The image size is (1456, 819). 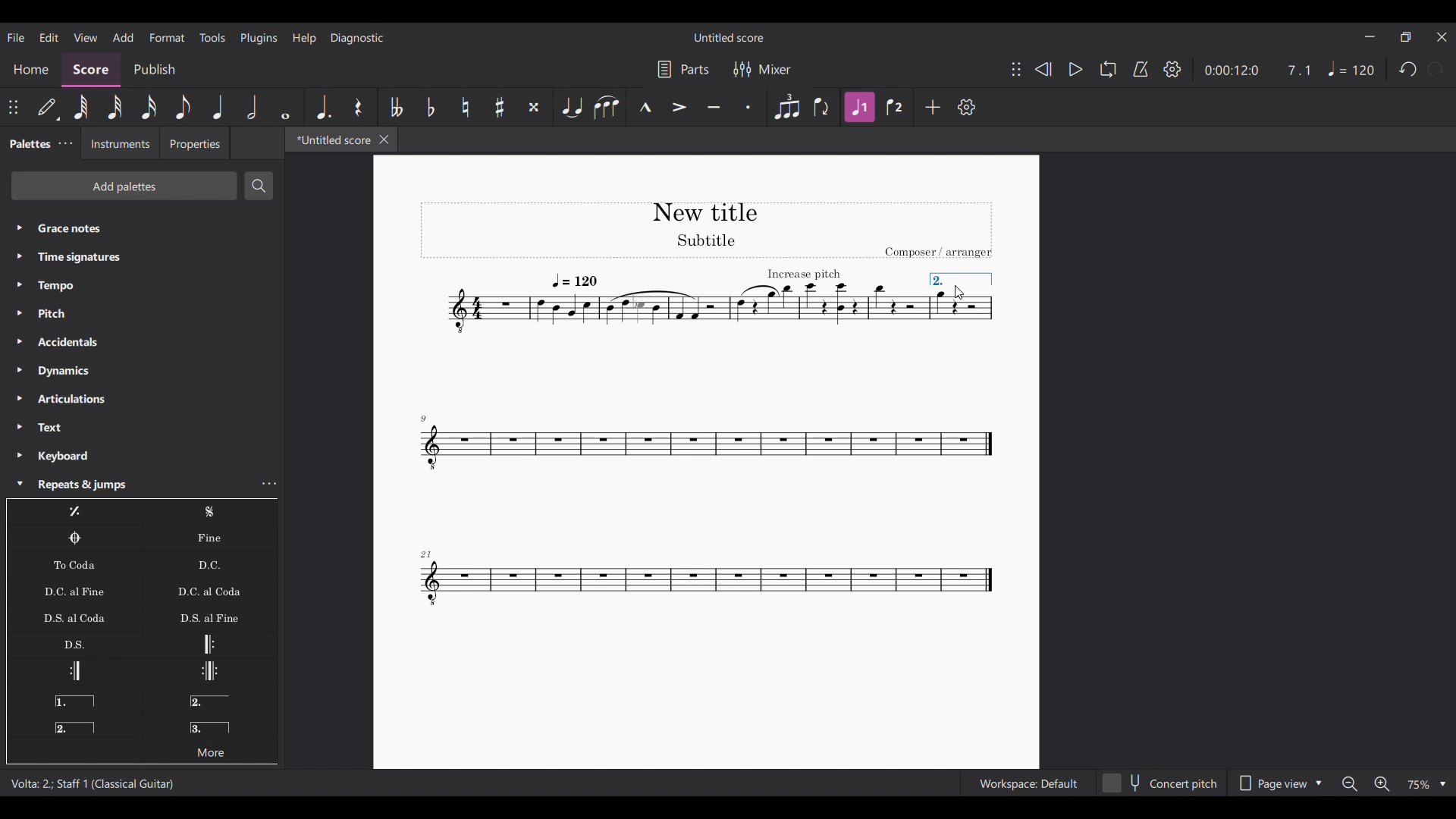 I want to click on D.S. al Fine, so click(x=209, y=617).